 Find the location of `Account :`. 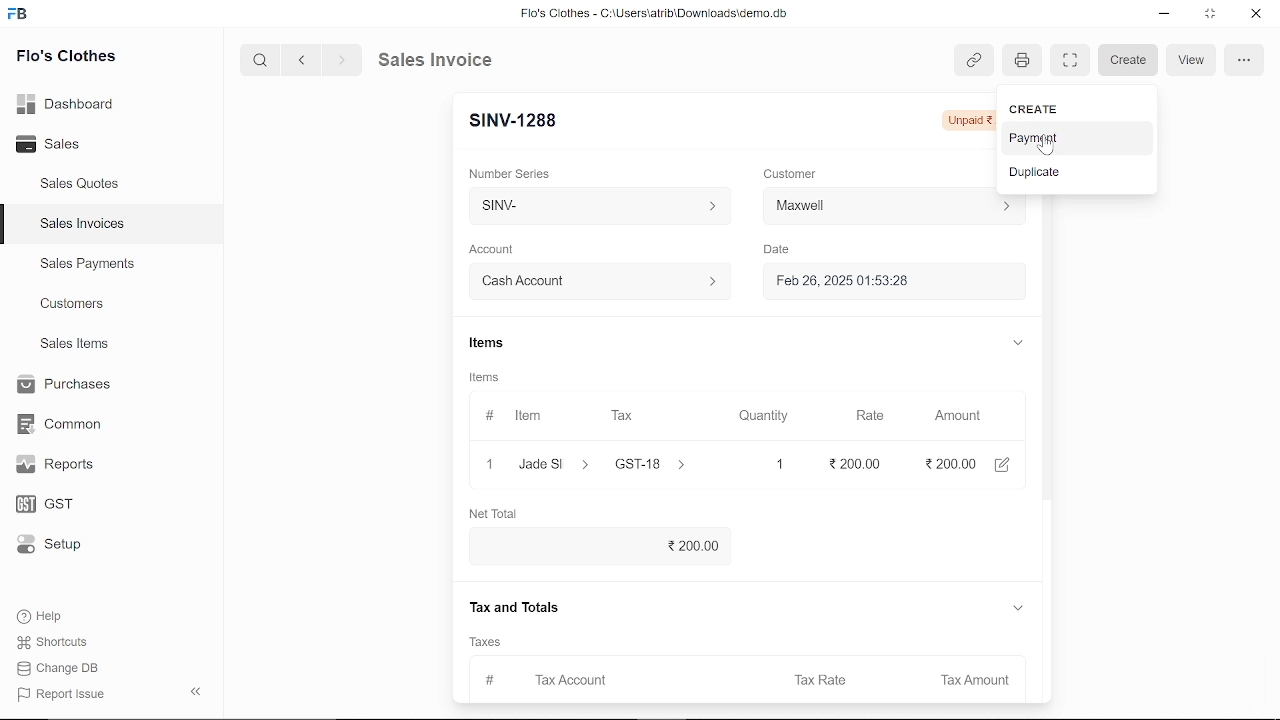

Account : is located at coordinates (598, 280).